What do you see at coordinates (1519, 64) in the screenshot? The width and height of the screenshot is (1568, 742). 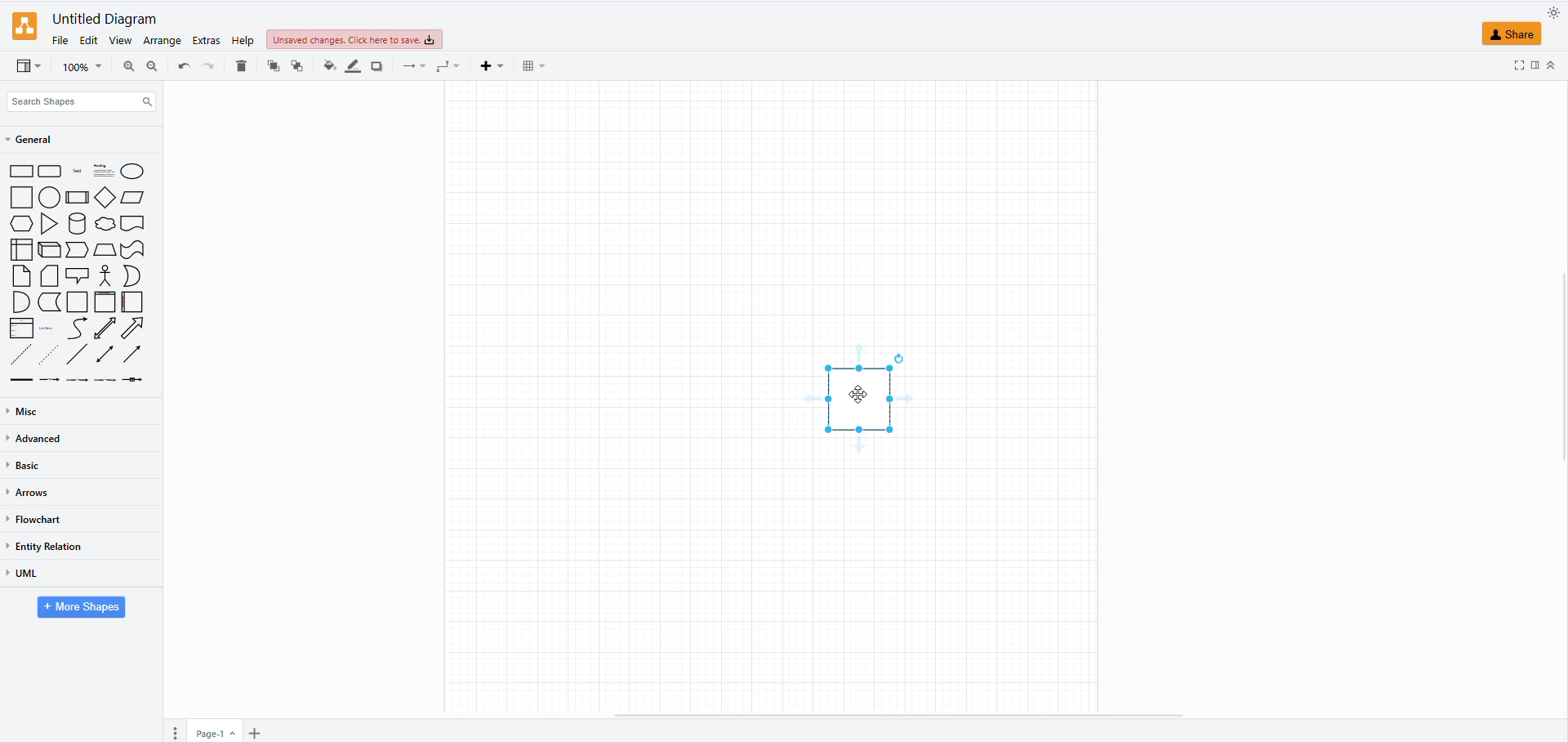 I see `forma` at bounding box center [1519, 64].